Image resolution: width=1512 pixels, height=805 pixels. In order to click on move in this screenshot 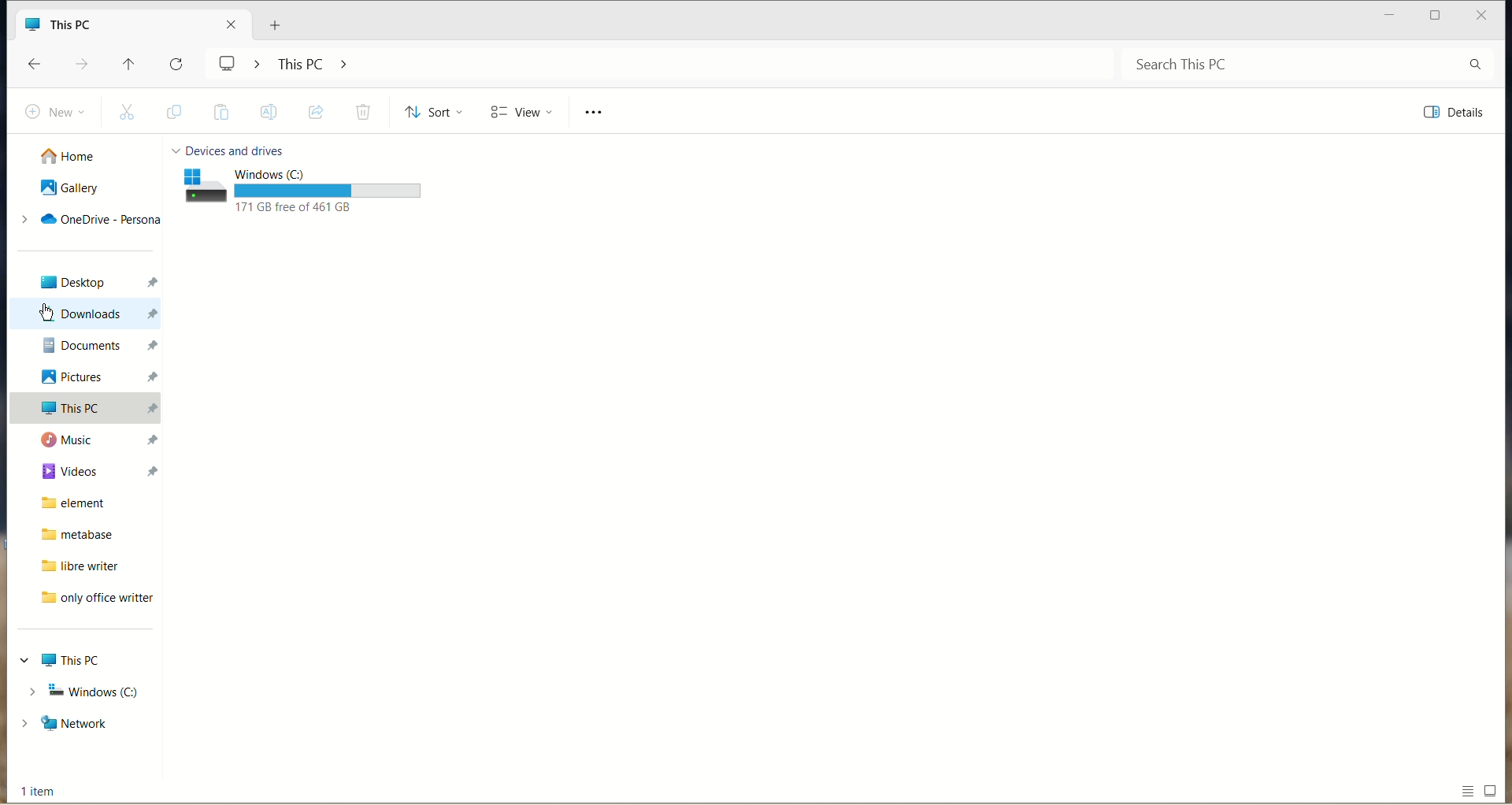, I will do `click(317, 112)`.